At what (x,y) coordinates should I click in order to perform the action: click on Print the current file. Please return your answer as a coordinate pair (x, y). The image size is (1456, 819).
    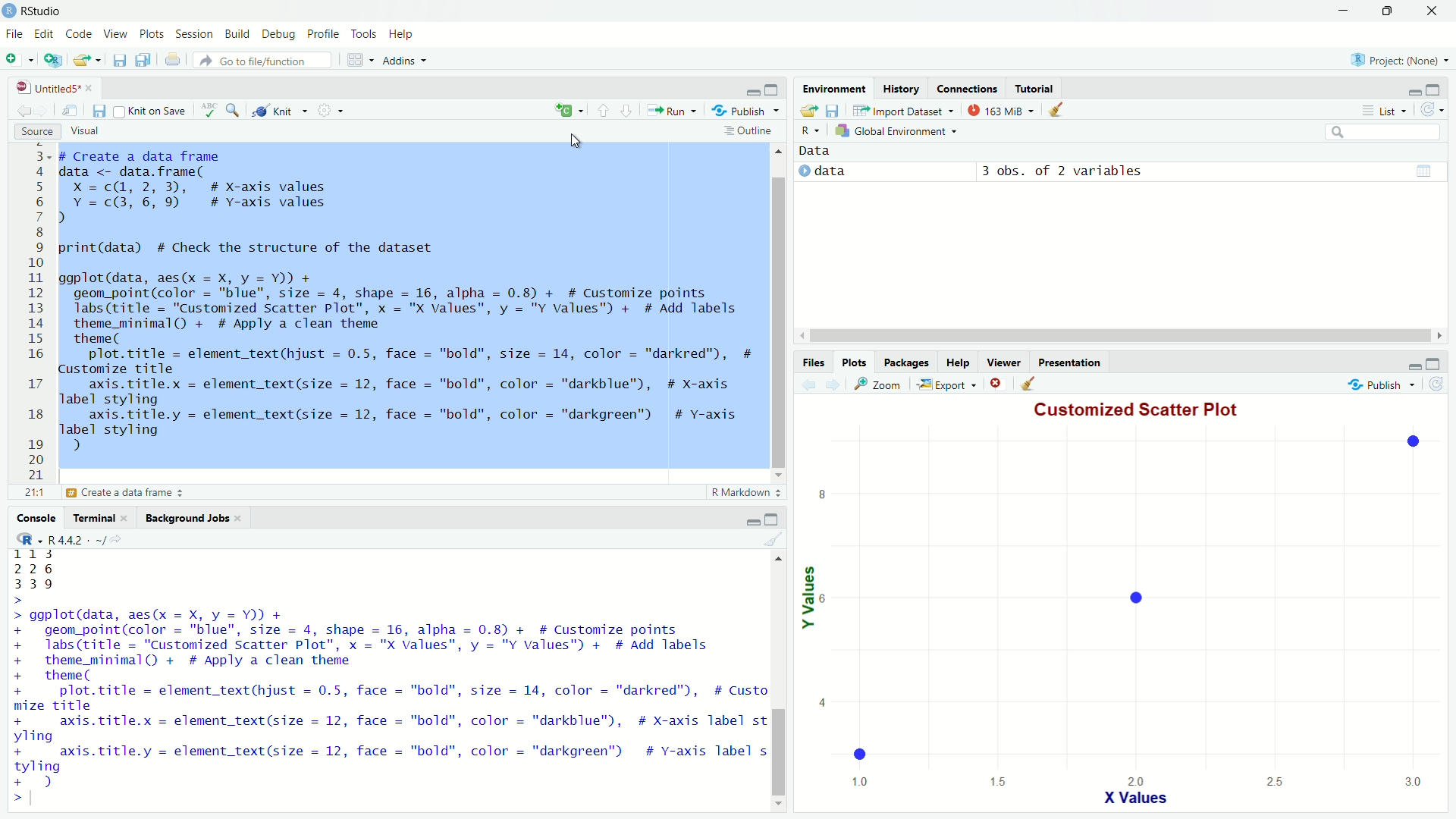
    Looking at the image, I should click on (173, 60).